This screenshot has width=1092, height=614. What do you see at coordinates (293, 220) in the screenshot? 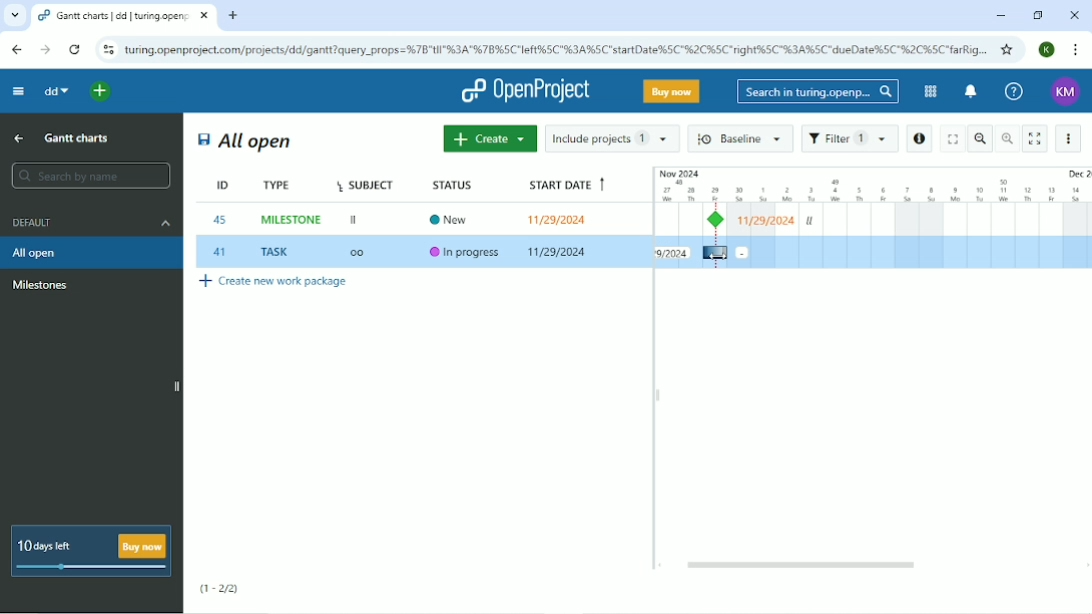
I see `MILESTONE` at bounding box center [293, 220].